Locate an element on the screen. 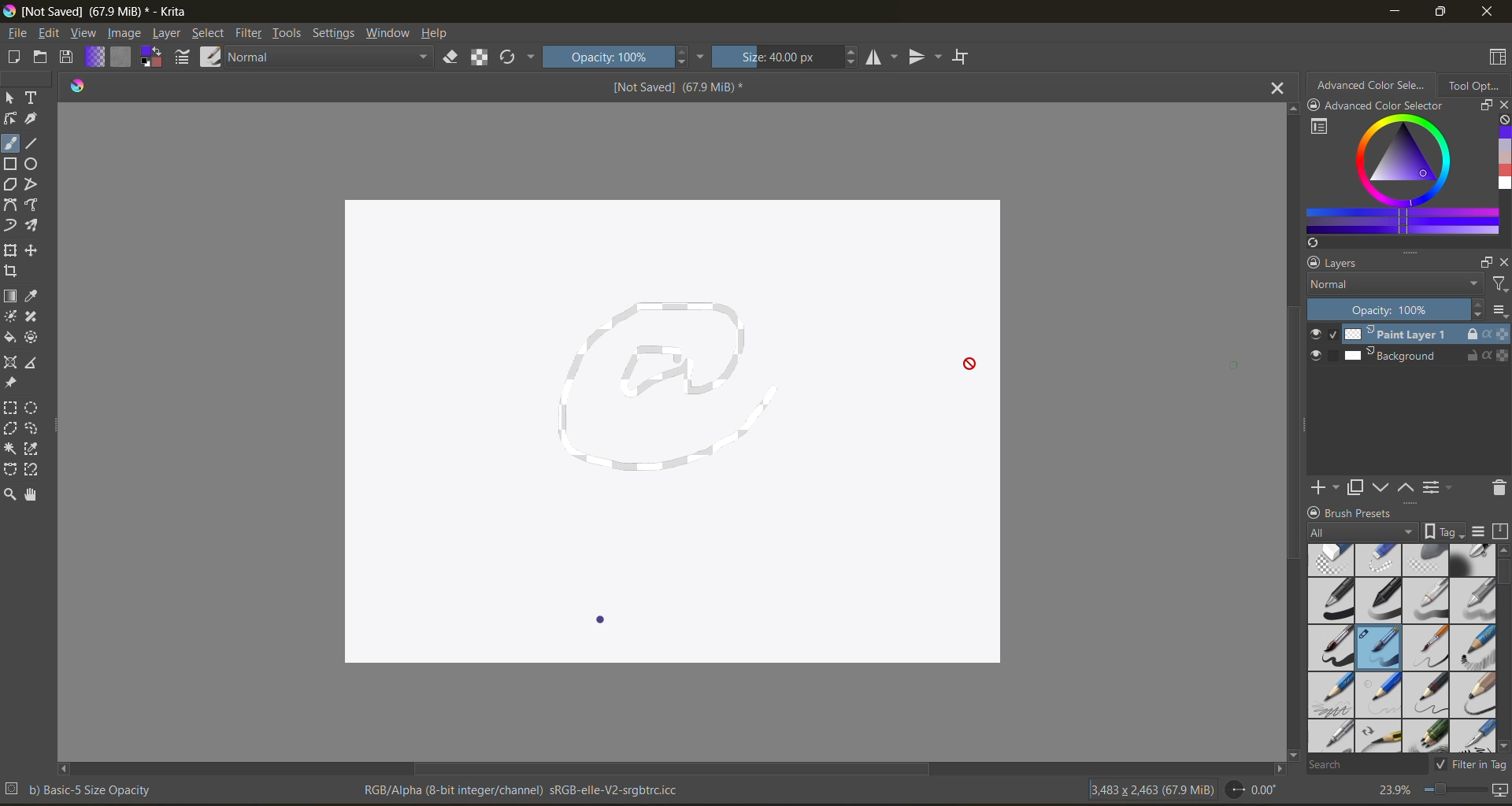  image is located at coordinates (123, 33).